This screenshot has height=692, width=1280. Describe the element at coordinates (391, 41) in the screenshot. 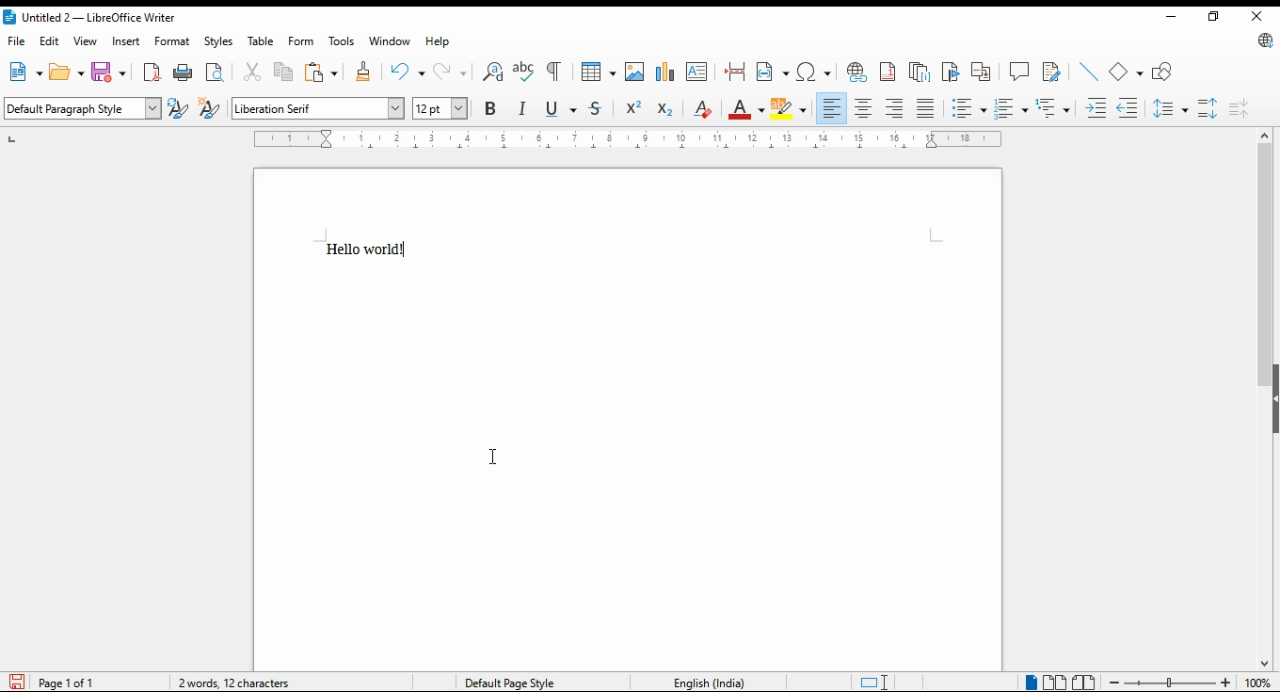

I see `window` at that location.